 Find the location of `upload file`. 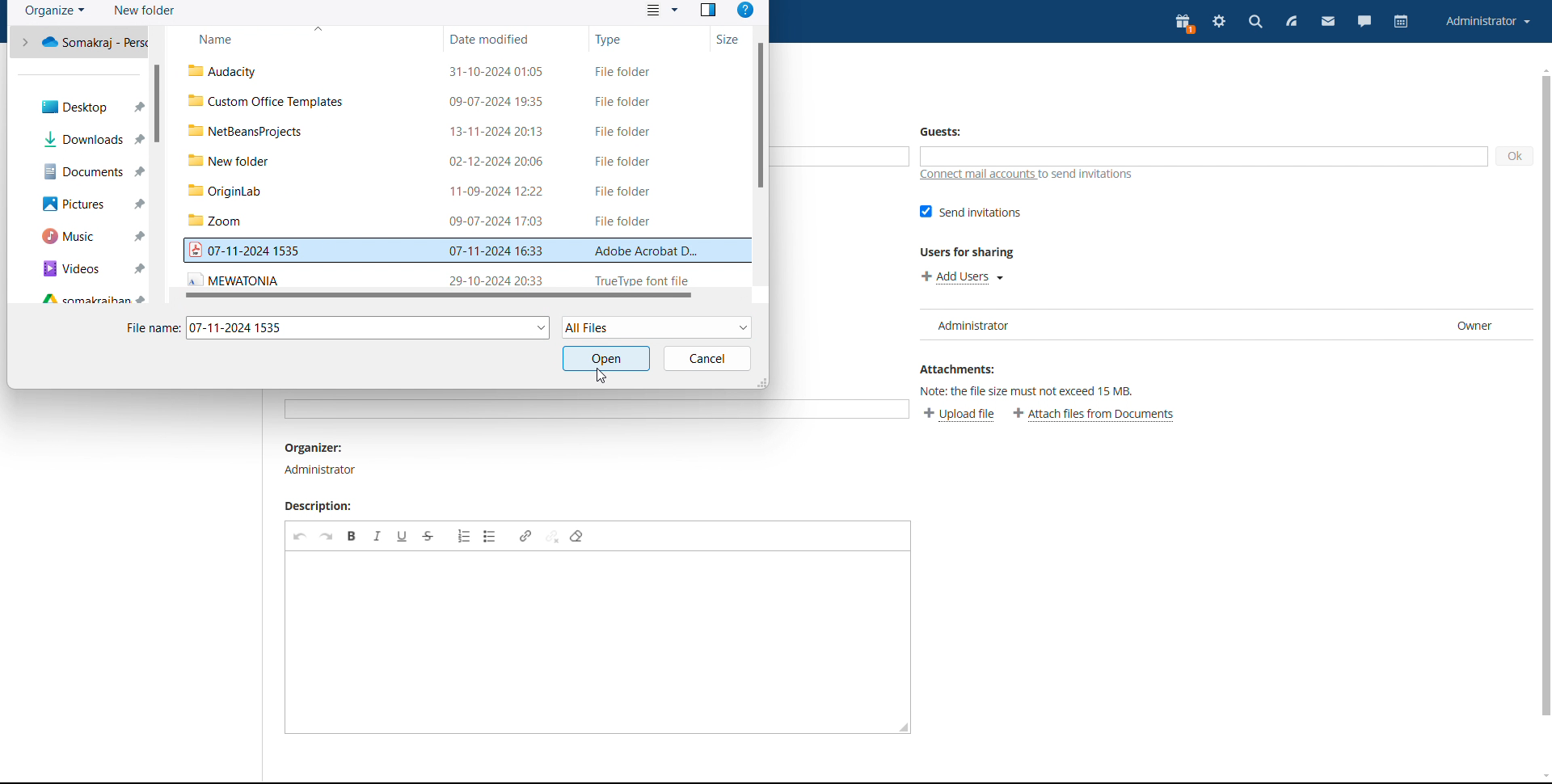

upload file is located at coordinates (959, 415).